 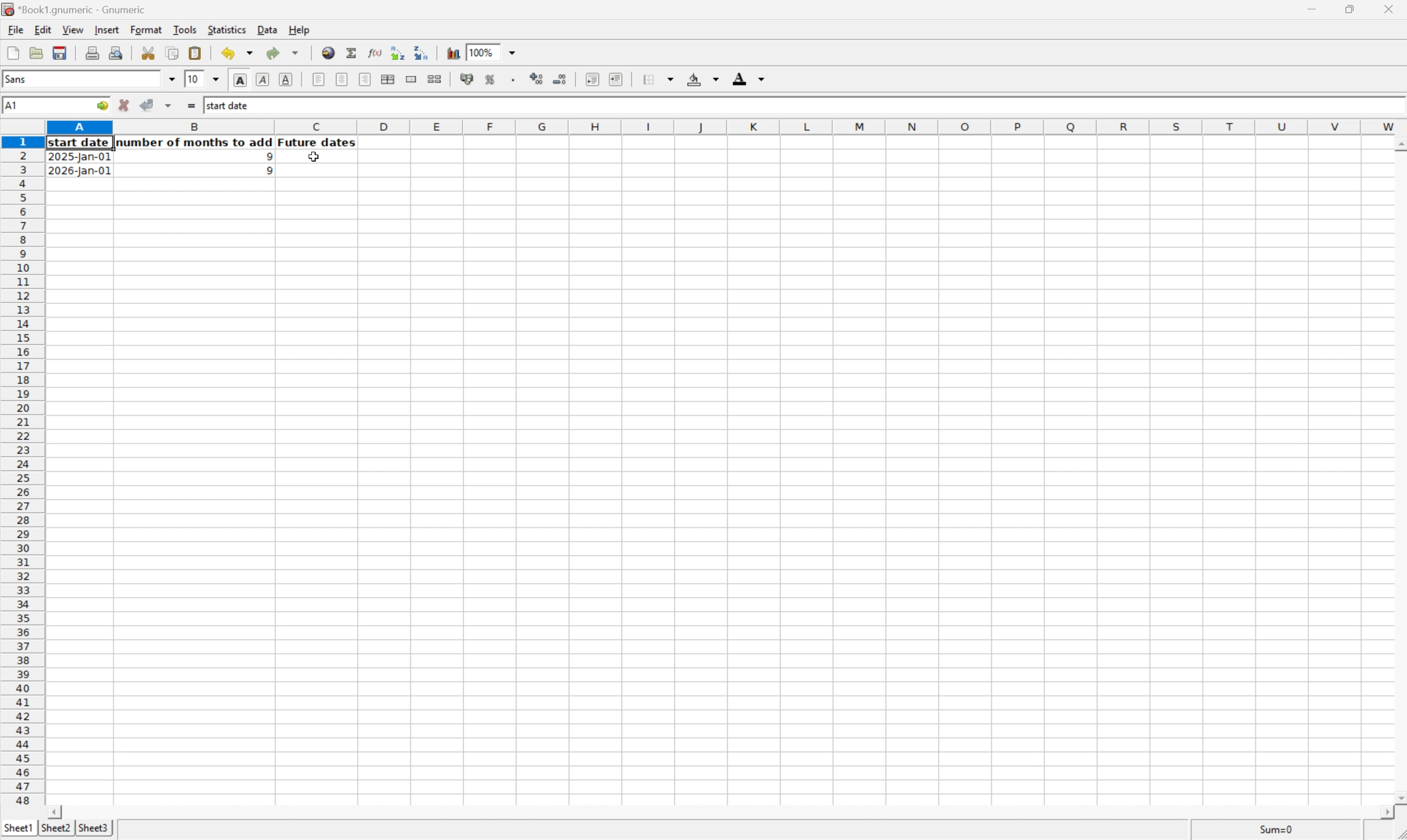 What do you see at coordinates (18, 828) in the screenshot?
I see `Sheet1` at bounding box center [18, 828].